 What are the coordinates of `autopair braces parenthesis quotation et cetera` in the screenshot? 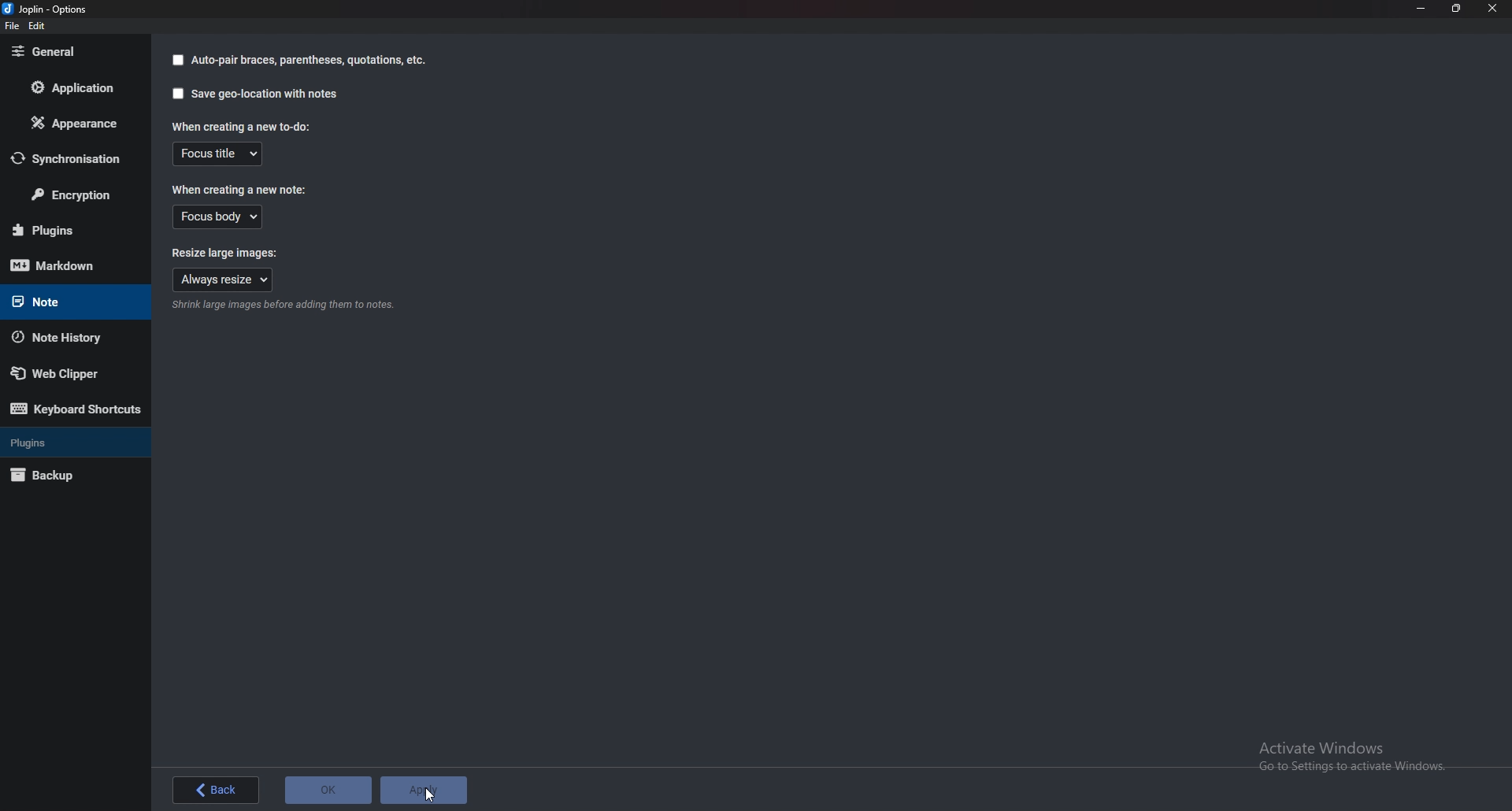 It's located at (298, 60).